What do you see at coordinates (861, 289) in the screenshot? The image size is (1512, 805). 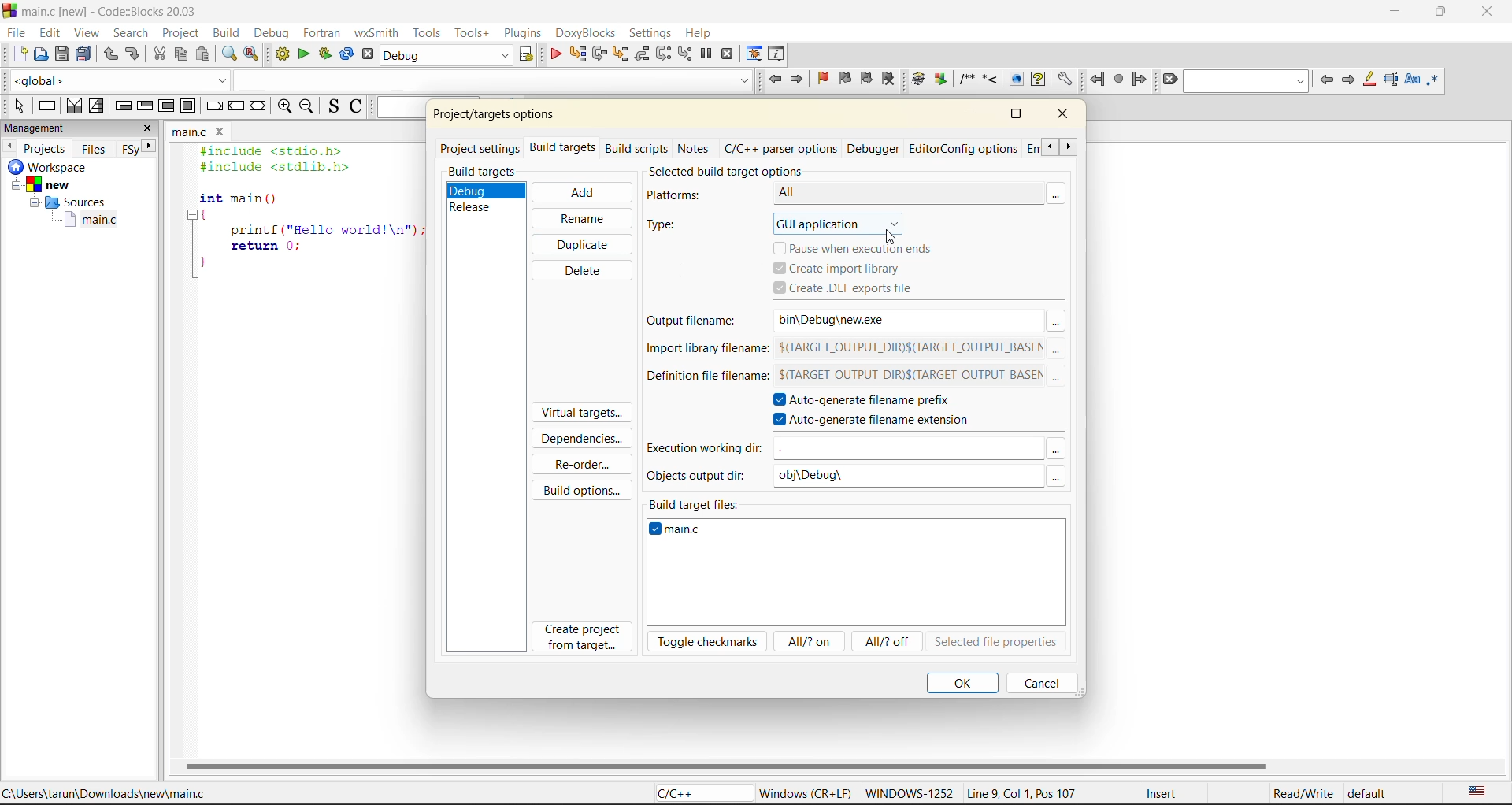 I see `create .def exports file` at bounding box center [861, 289].